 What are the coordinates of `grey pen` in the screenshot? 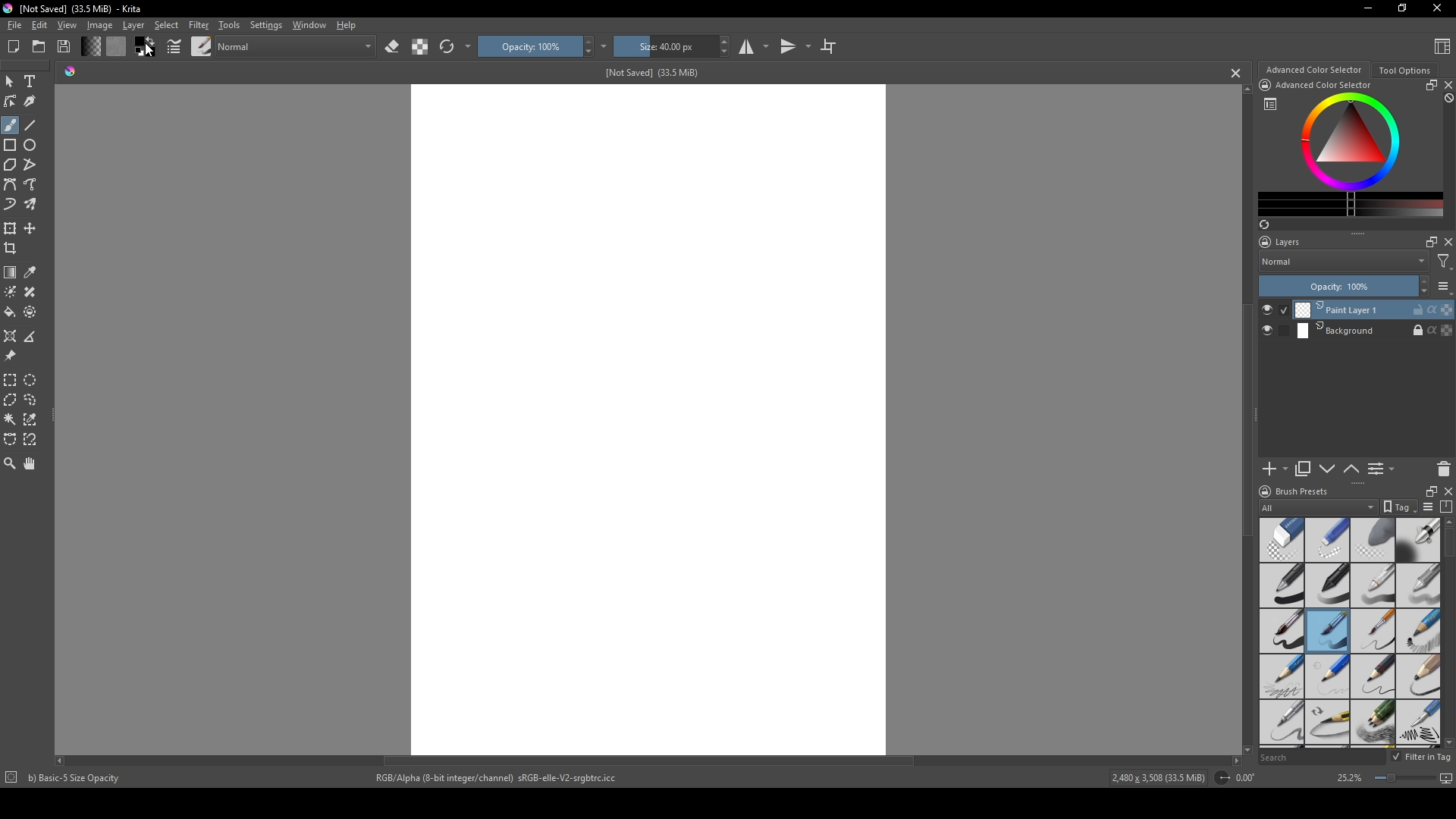 It's located at (1418, 585).